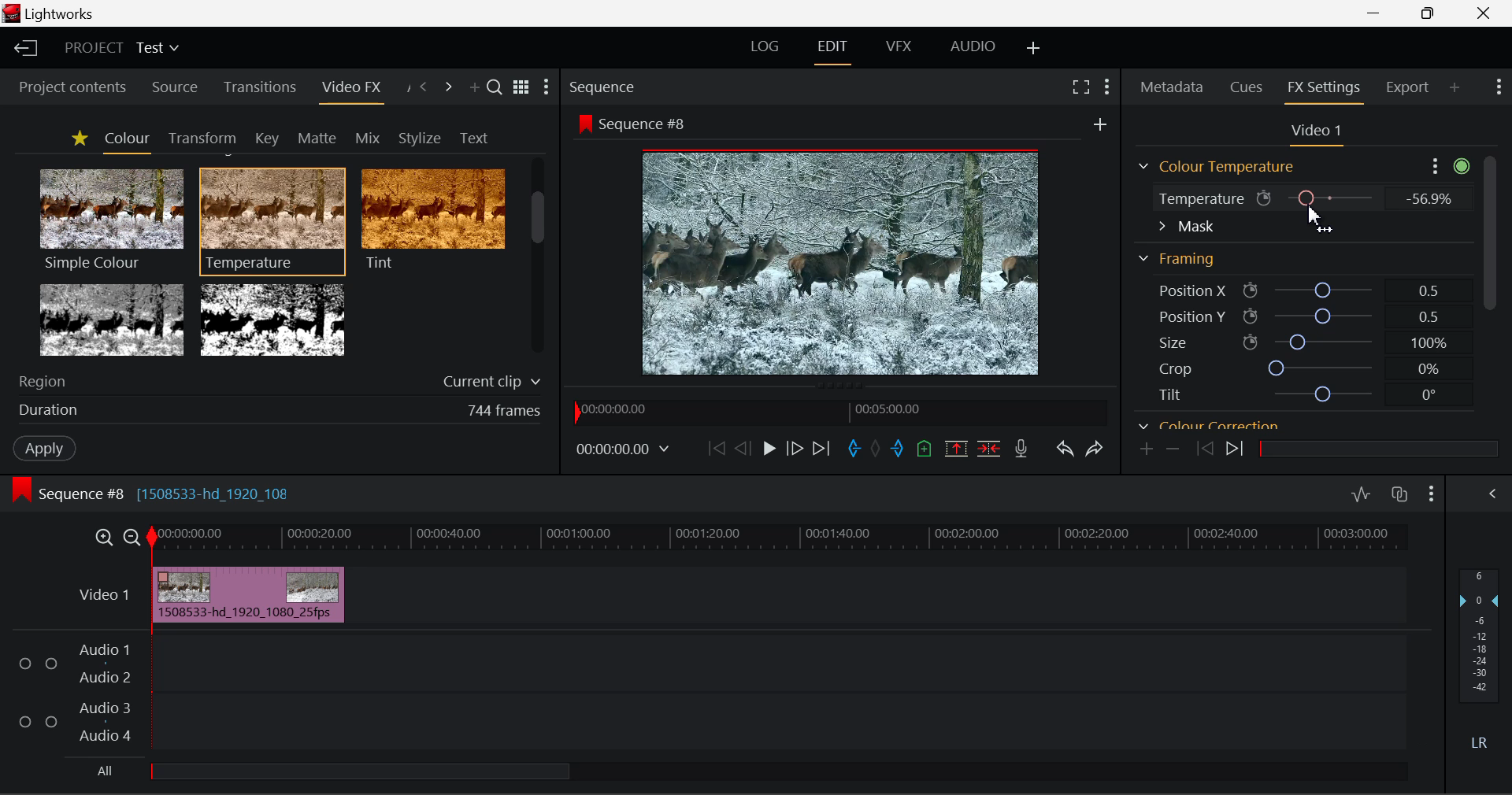 The width and height of the screenshot is (1512, 795). What do you see at coordinates (199, 137) in the screenshot?
I see `Transform` at bounding box center [199, 137].